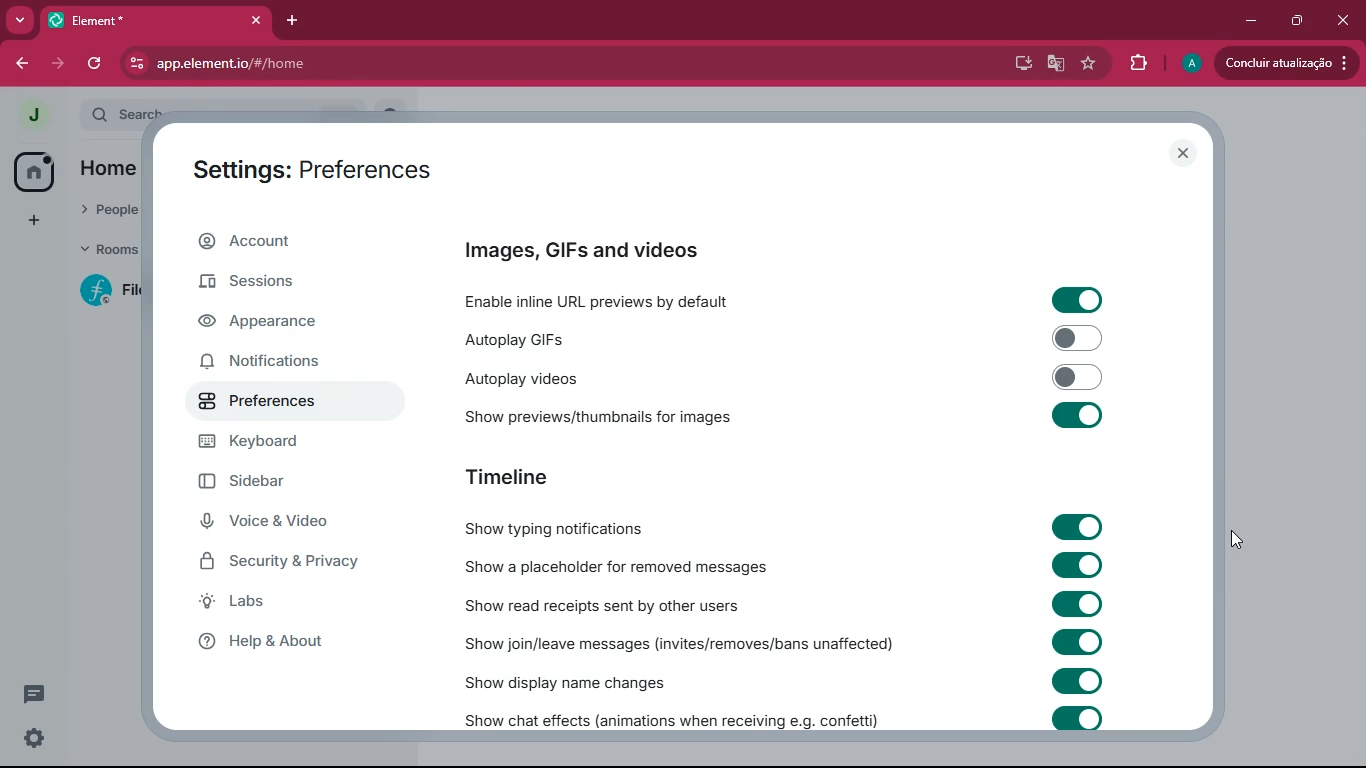  What do you see at coordinates (561, 528) in the screenshot?
I see `show typing notifications` at bounding box center [561, 528].